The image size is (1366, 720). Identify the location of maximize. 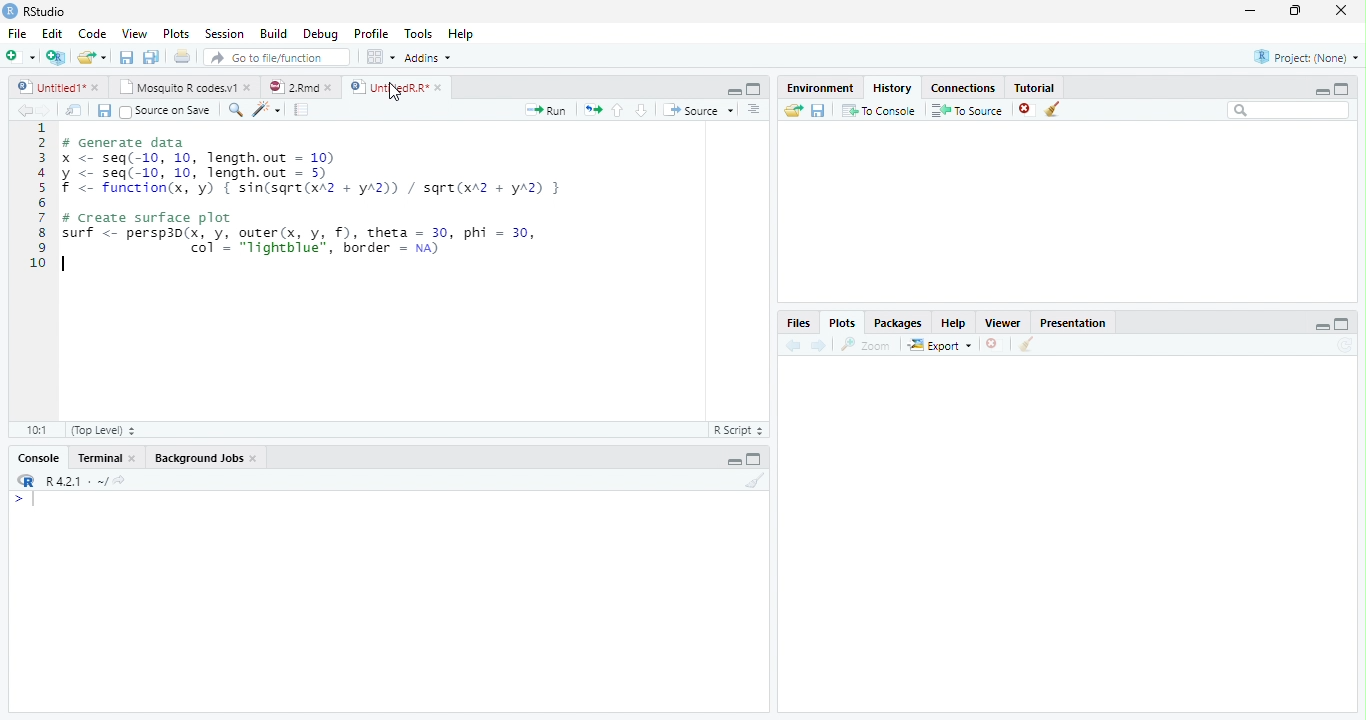
(1342, 89).